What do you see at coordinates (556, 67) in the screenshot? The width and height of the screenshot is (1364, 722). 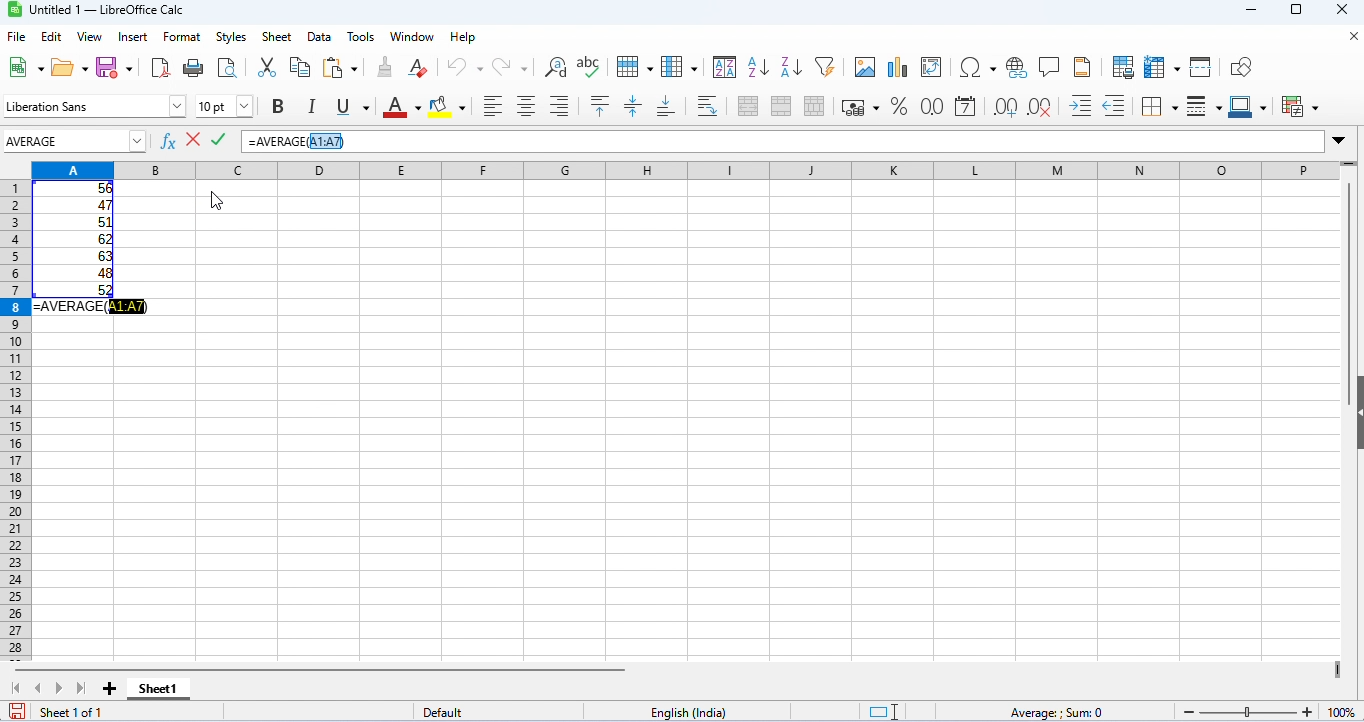 I see `find and replace` at bounding box center [556, 67].